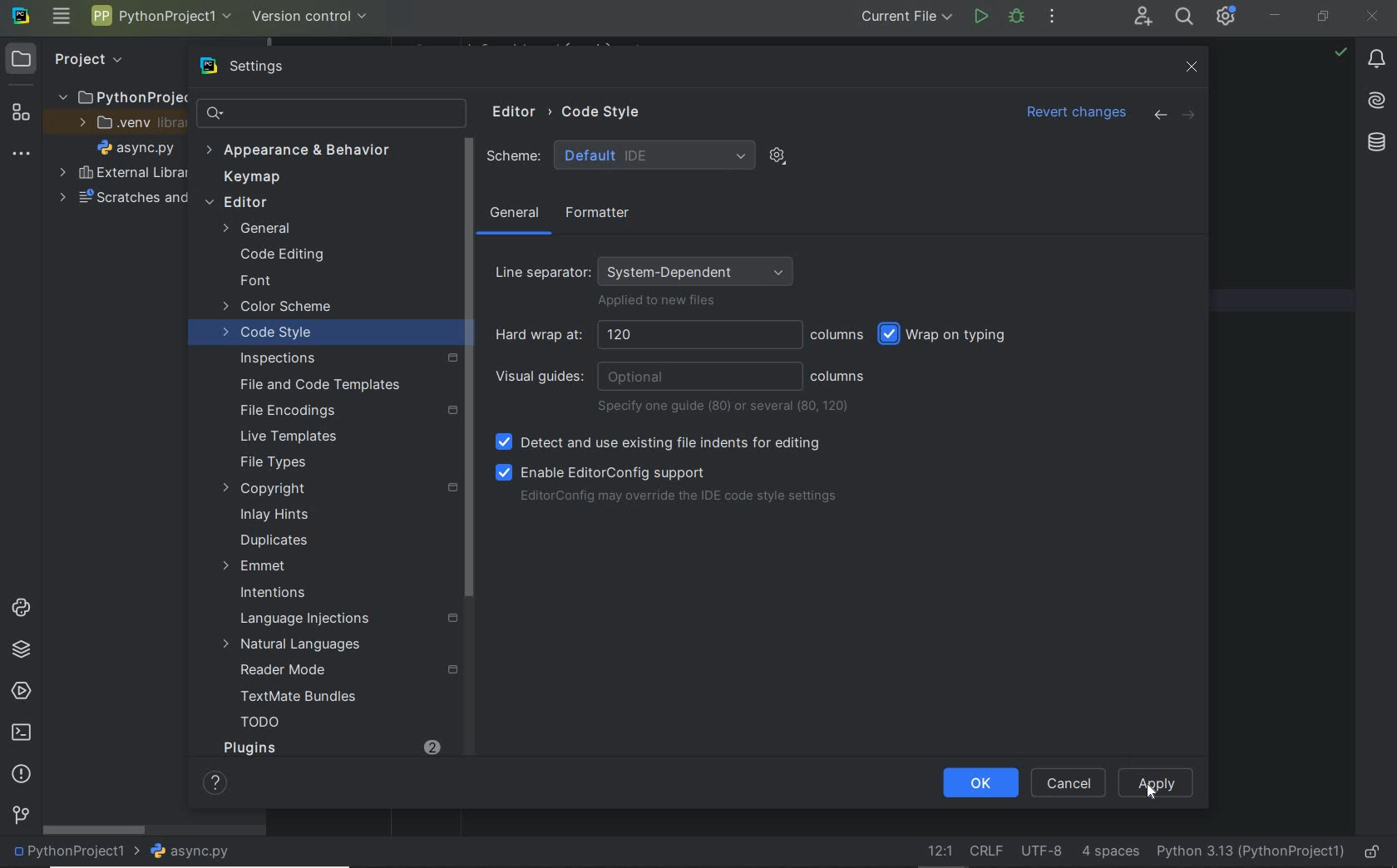 The width and height of the screenshot is (1397, 868). Describe the element at coordinates (835, 335) in the screenshot. I see `columns` at that location.